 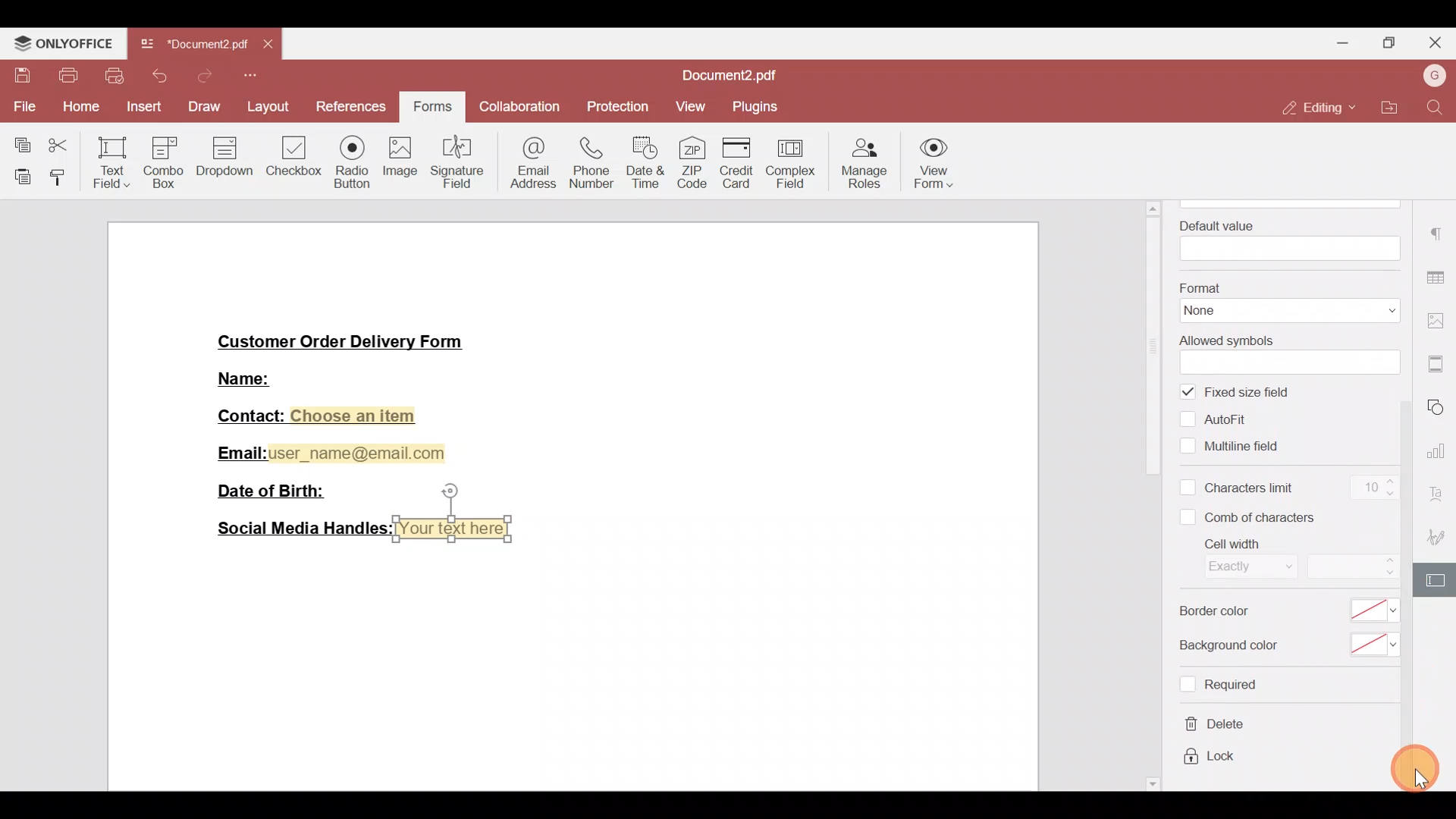 I want to click on Social Media Handles, so click(x=299, y=529).